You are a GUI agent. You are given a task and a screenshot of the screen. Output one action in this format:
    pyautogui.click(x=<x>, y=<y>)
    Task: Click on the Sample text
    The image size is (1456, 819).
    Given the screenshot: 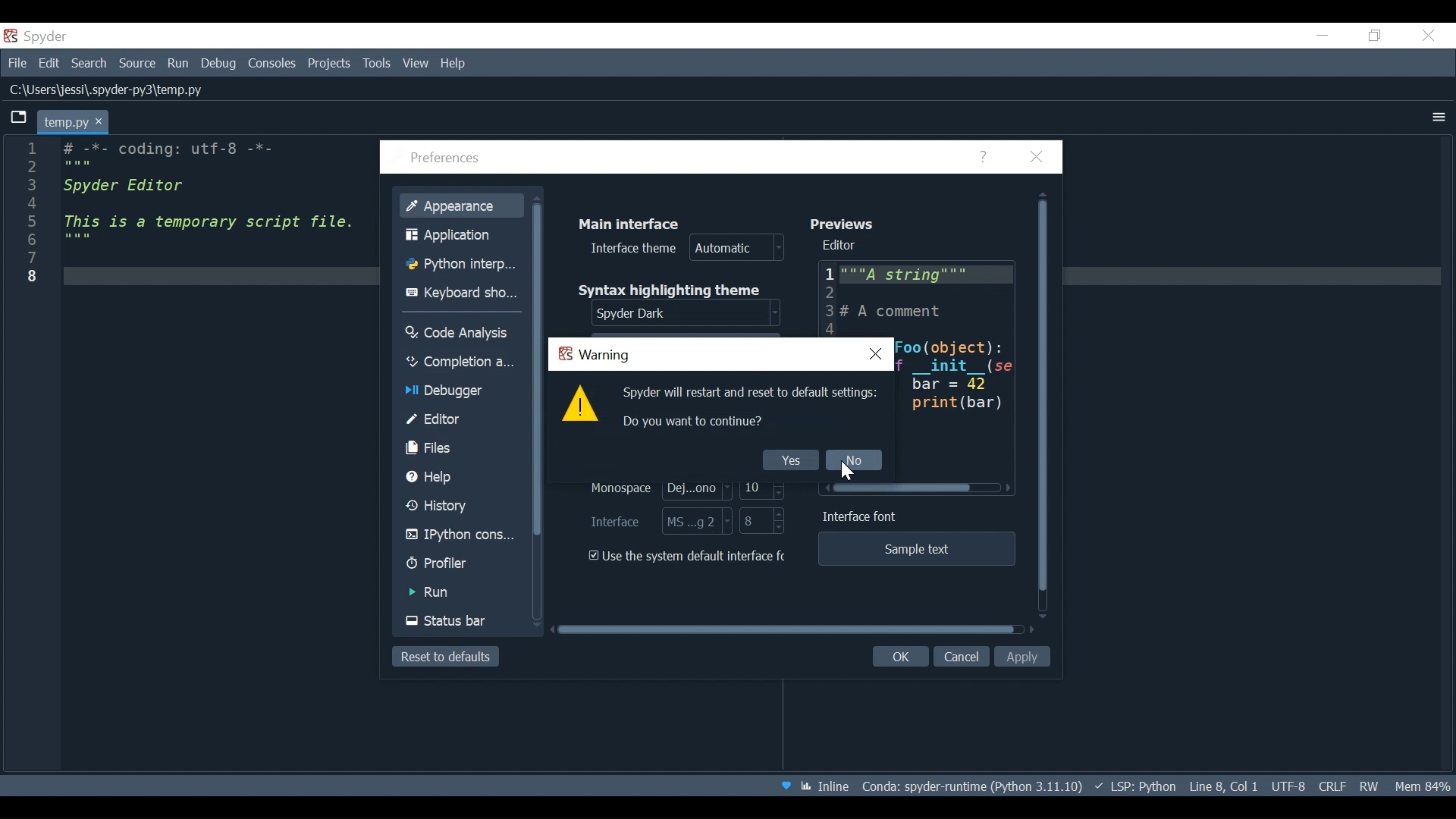 What is the action you would take?
    pyautogui.click(x=915, y=549)
    